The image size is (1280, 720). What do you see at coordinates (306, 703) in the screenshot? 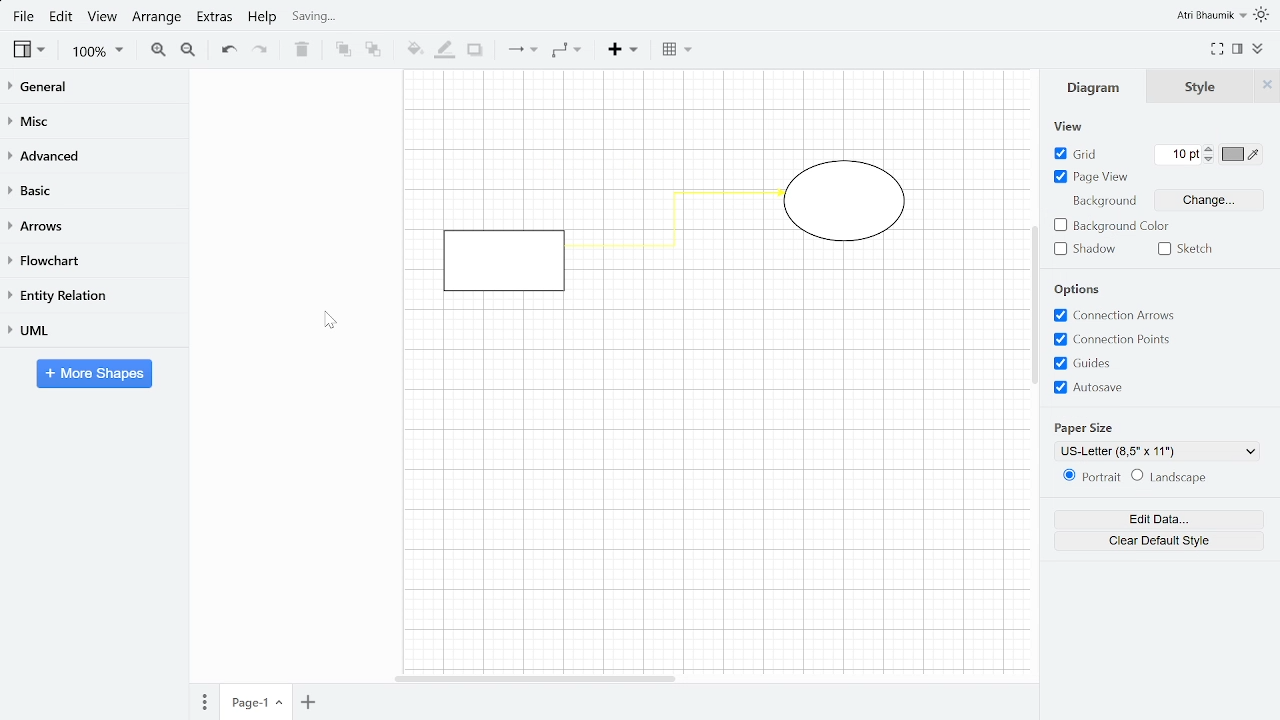
I see `Current page` at bounding box center [306, 703].